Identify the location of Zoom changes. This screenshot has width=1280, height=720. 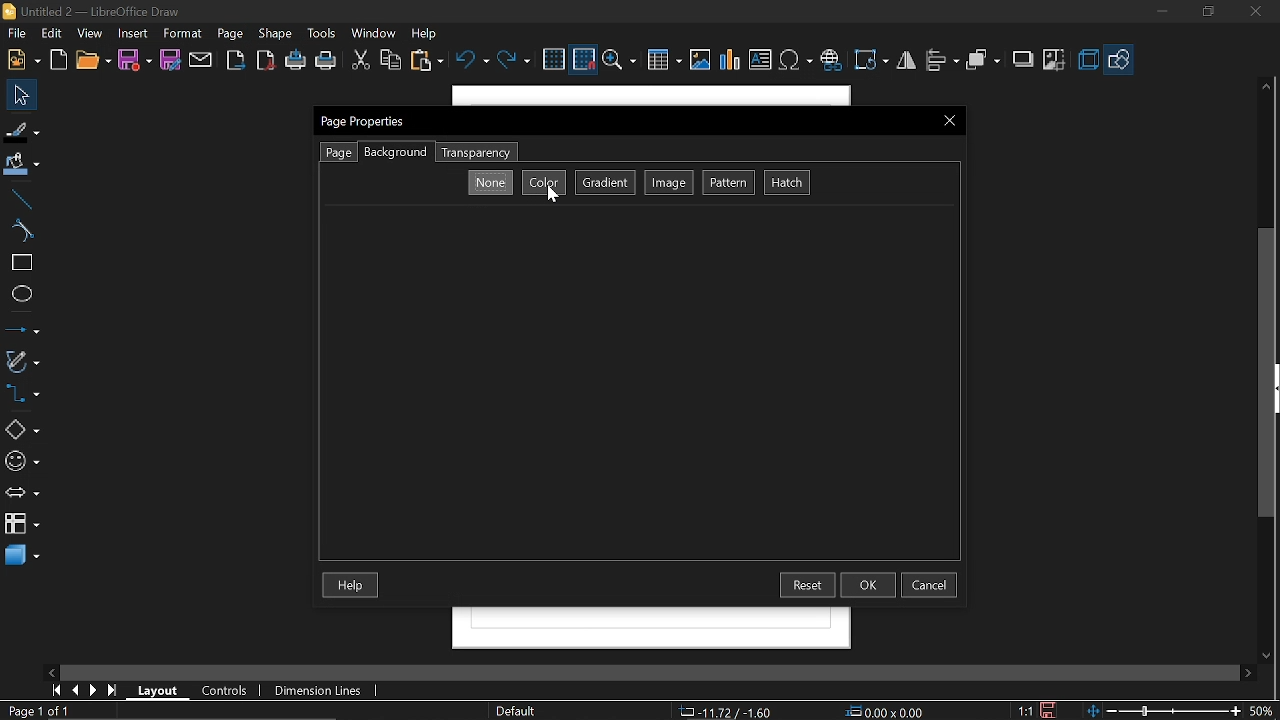
(1165, 710).